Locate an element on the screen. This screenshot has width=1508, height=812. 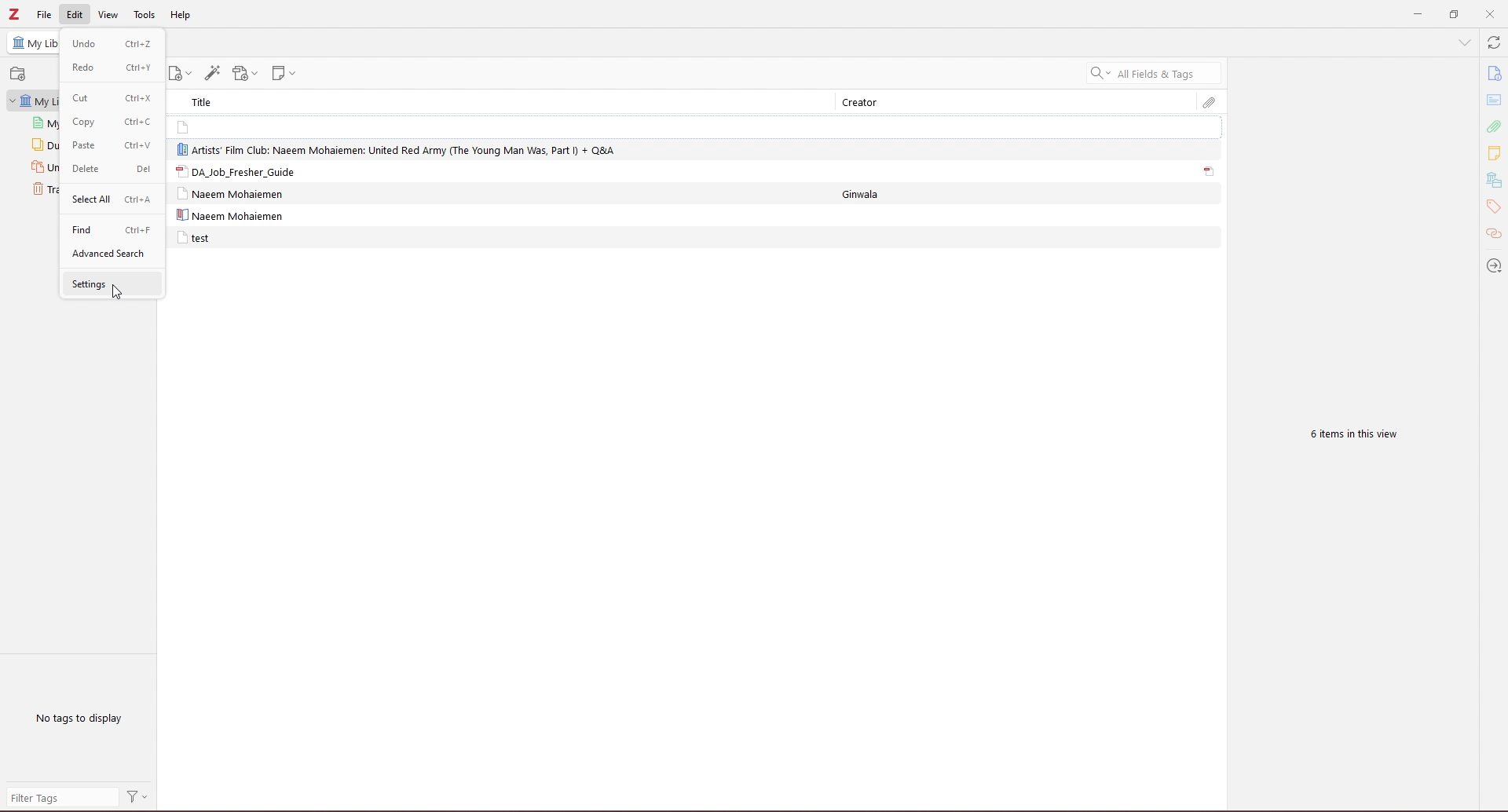
find is located at coordinates (111, 229).